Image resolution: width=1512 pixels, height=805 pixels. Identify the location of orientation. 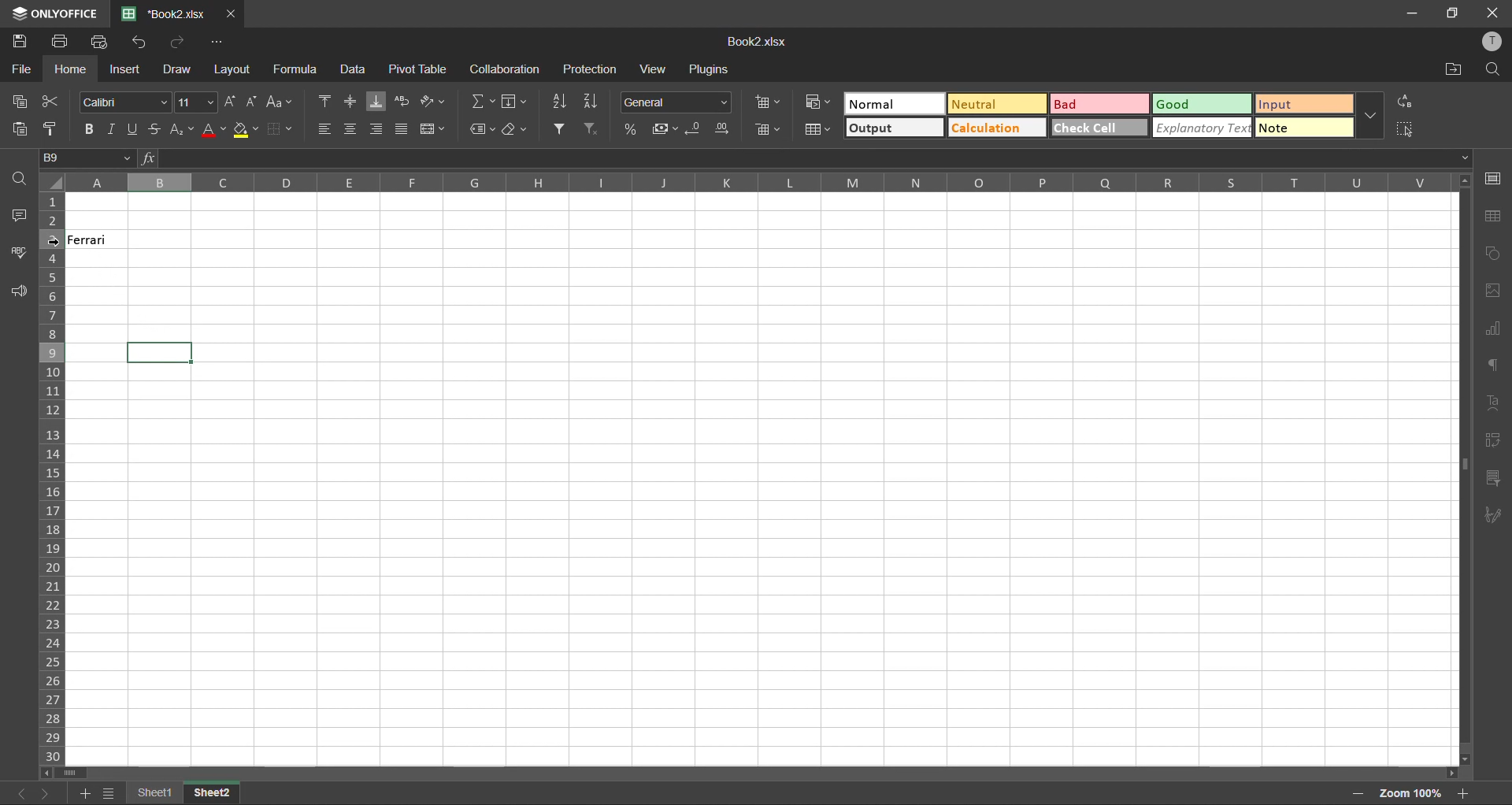
(438, 99).